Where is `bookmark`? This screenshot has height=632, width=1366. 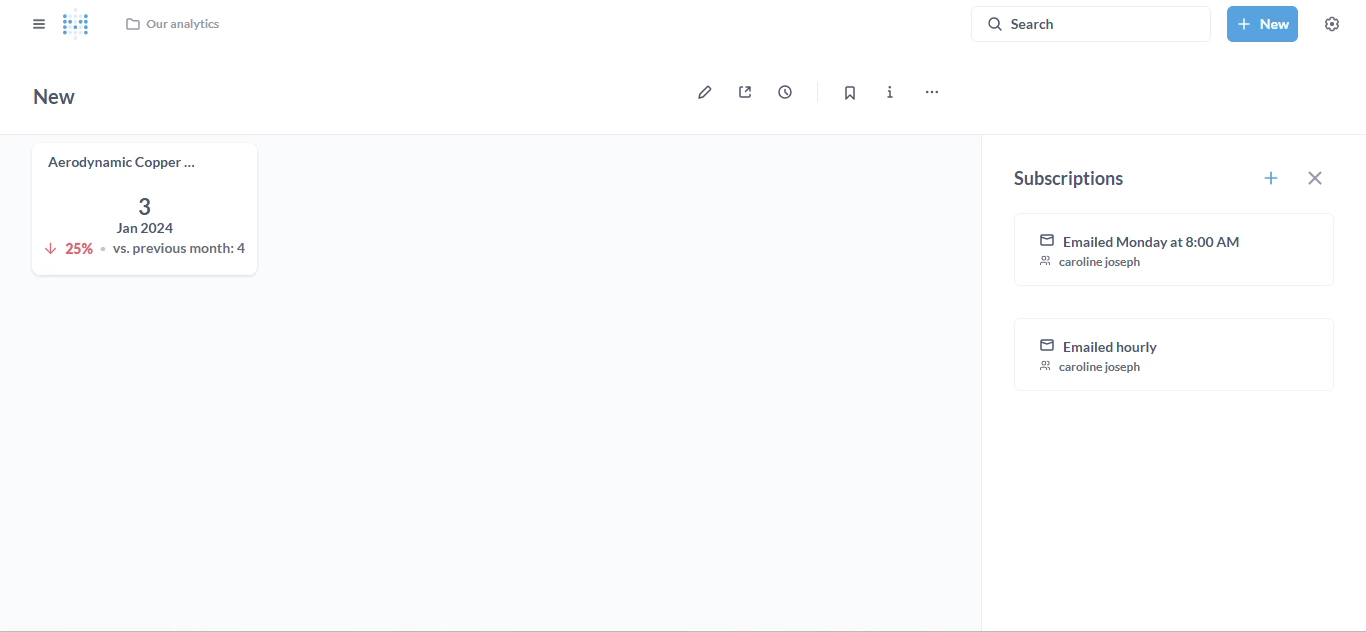
bookmark is located at coordinates (849, 93).